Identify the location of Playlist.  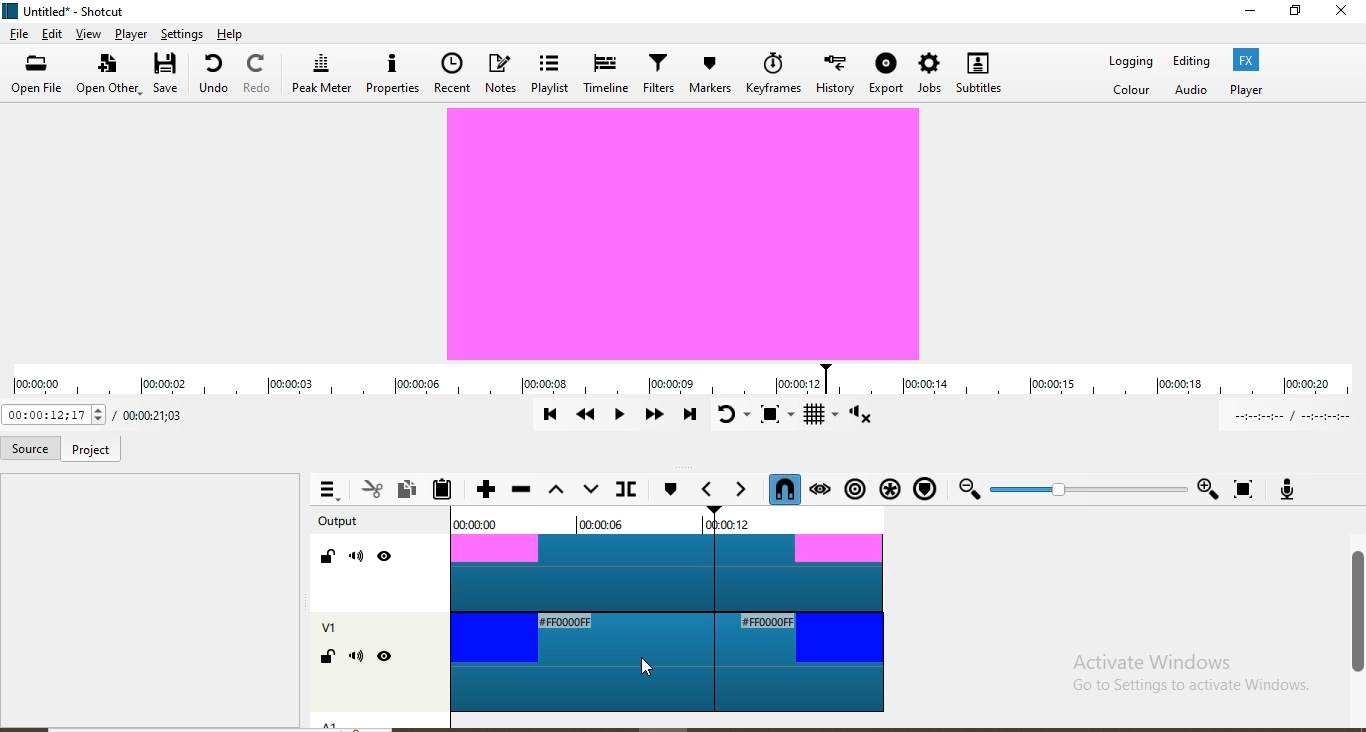
(550, 75).